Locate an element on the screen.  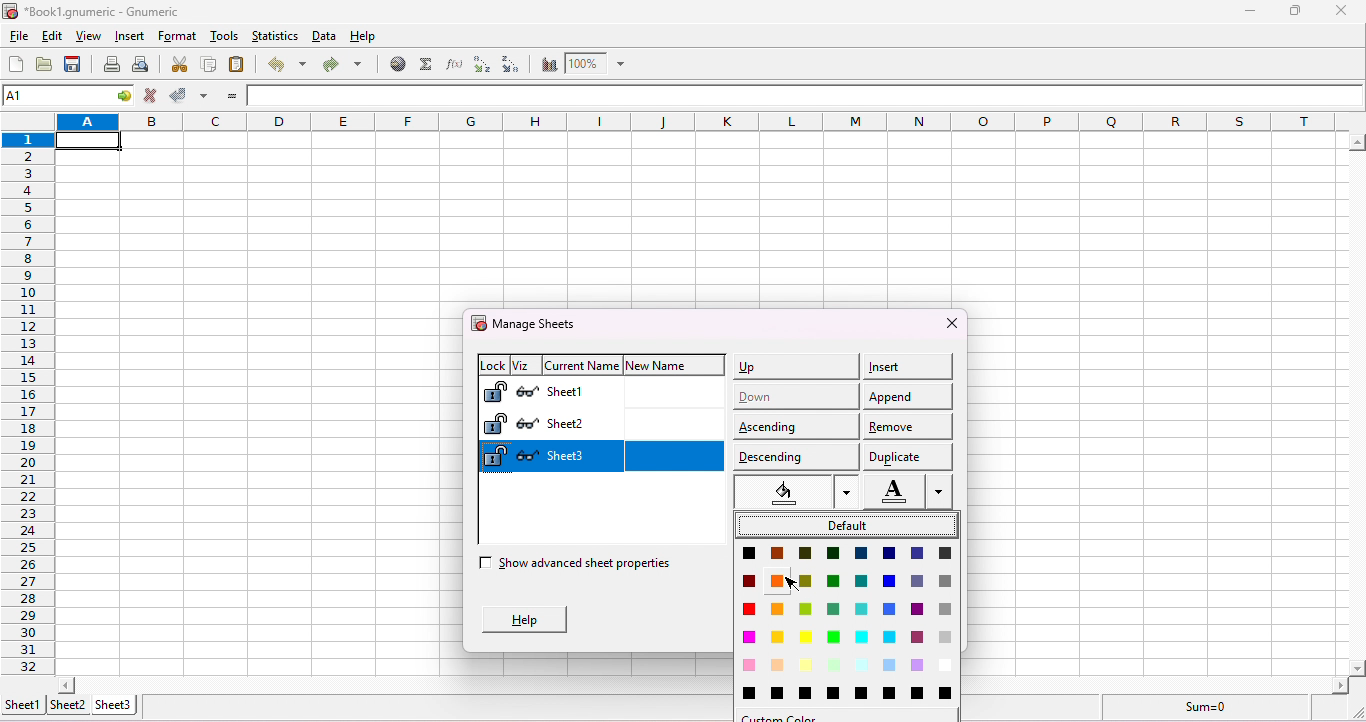
cursor movement is located at coordinates (794, 583).